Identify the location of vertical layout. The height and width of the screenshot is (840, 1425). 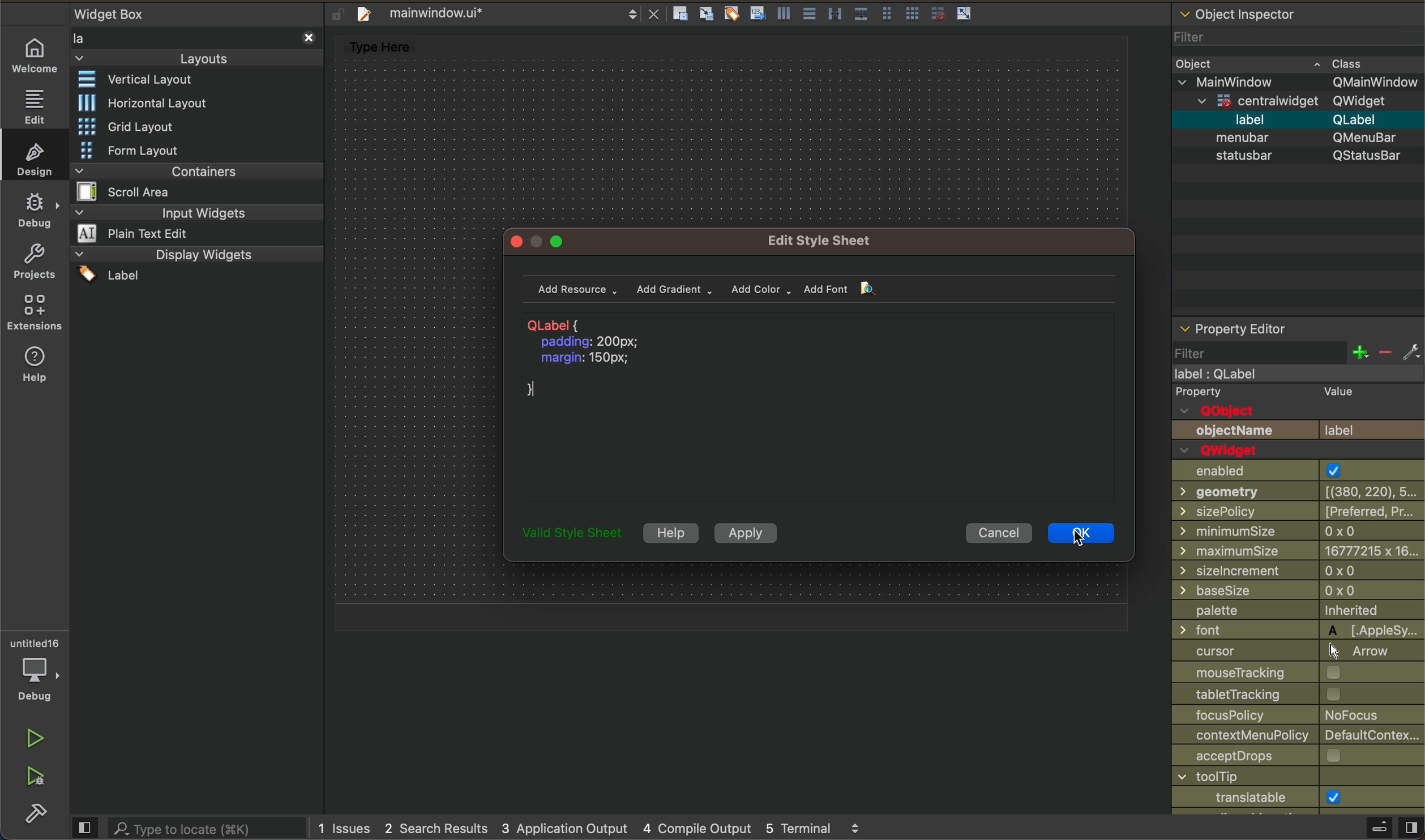
(147, 80).